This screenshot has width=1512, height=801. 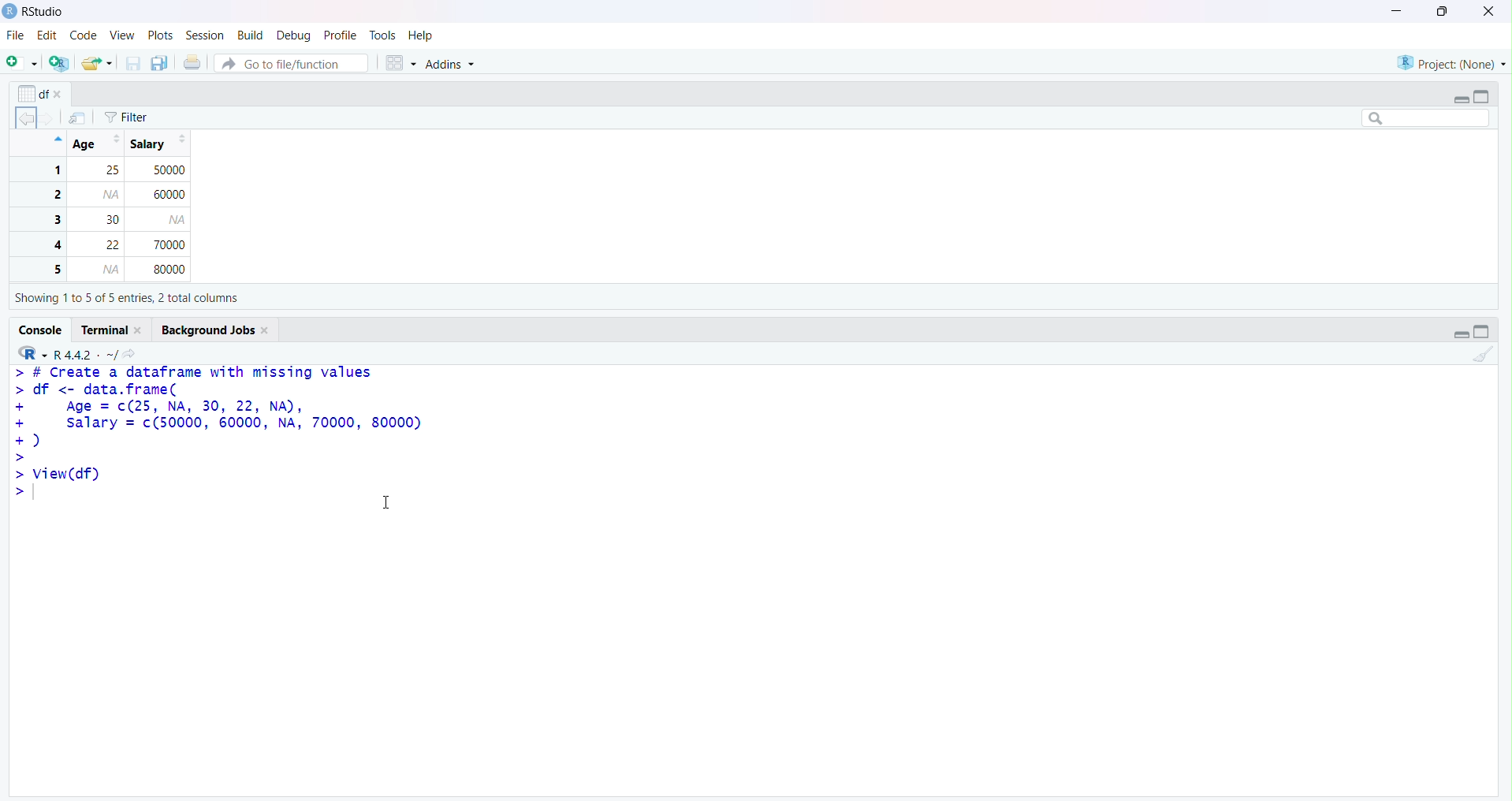 What do you see at coordinates (289, 60) in the screenshot?
I see `` at bounding box center [289, 60].